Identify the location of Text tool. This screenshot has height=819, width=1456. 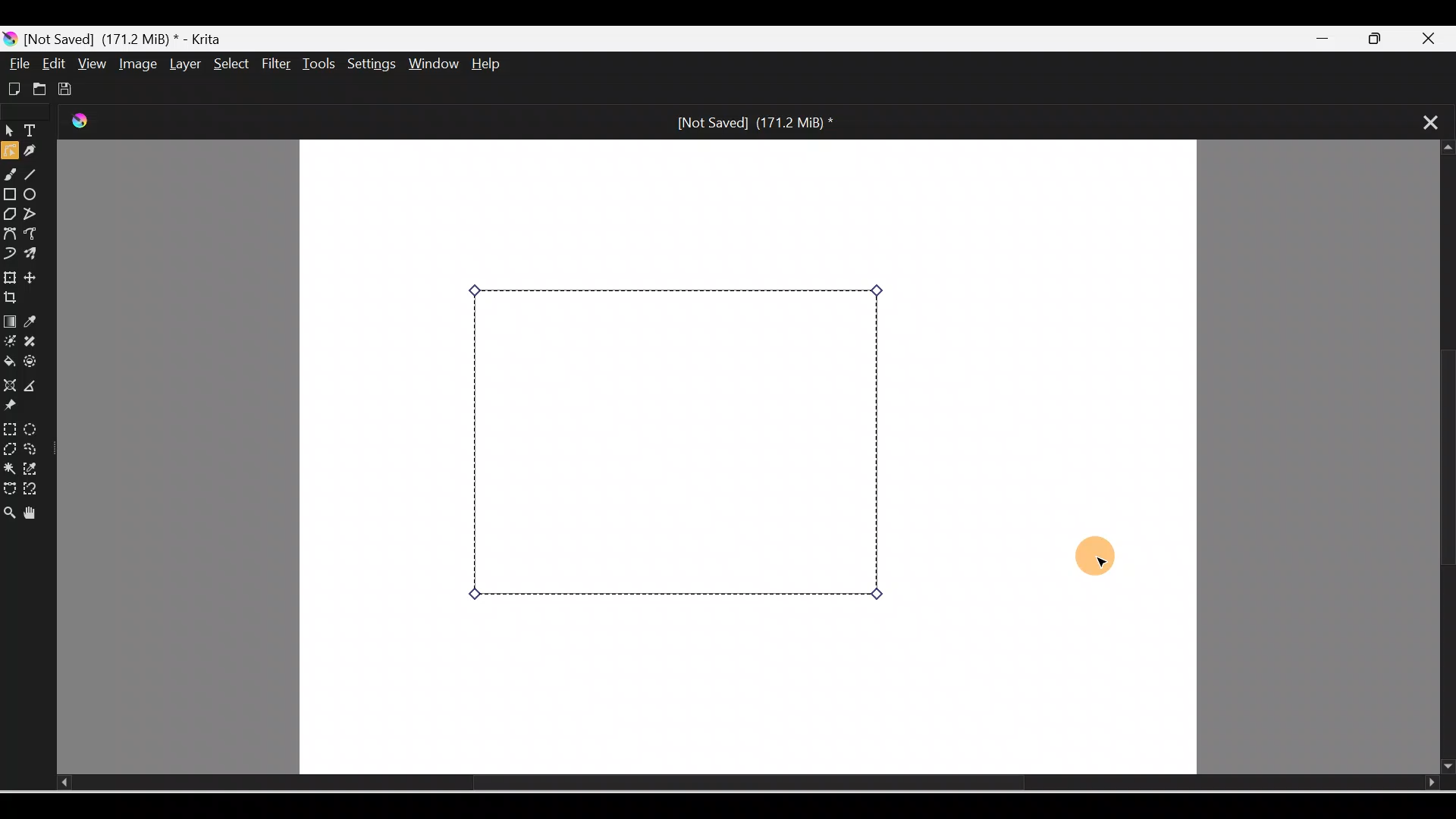
(33, 132).